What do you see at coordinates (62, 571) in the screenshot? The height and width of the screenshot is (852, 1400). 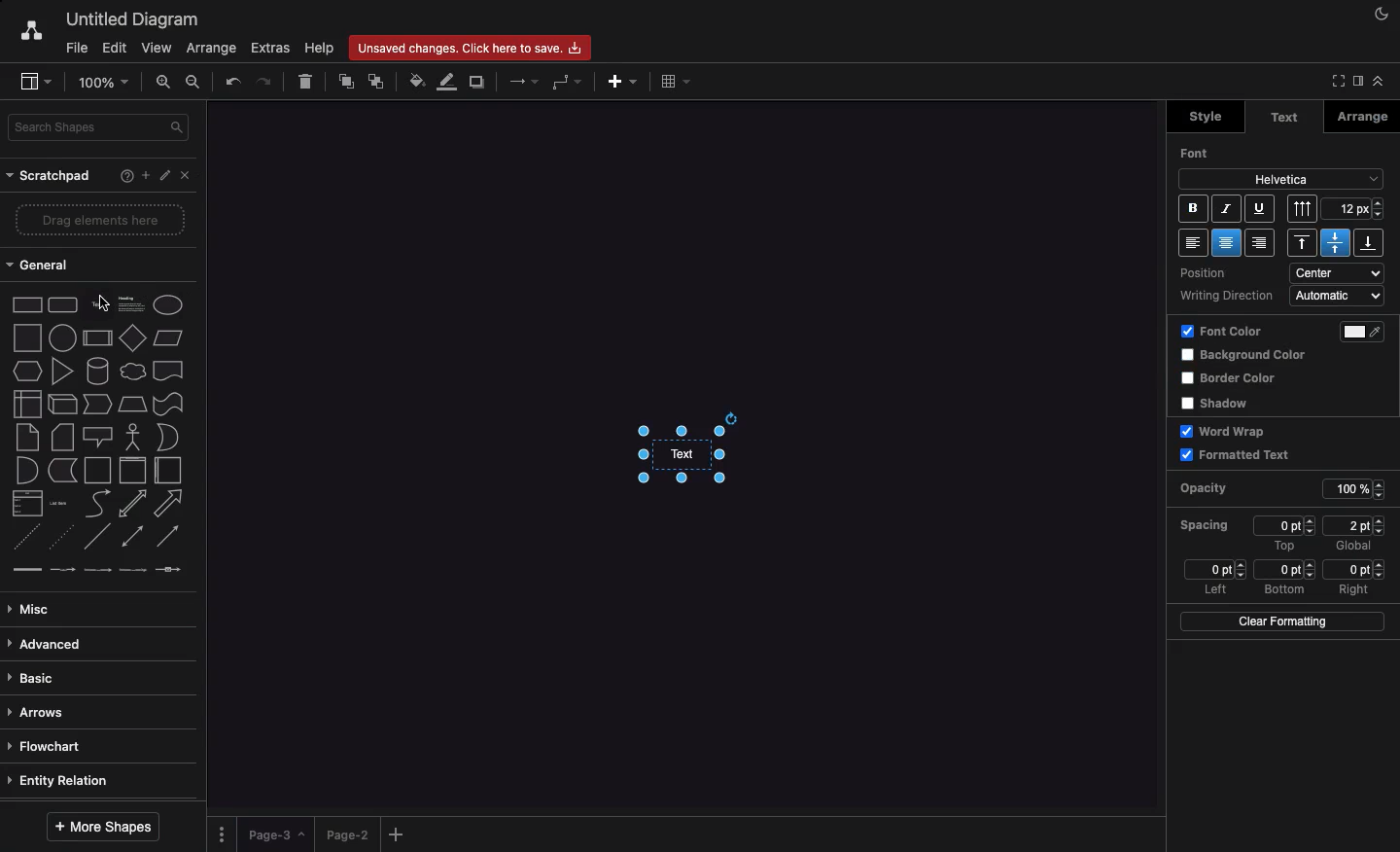 I see `connector with label` at bounding box center [62, 571].